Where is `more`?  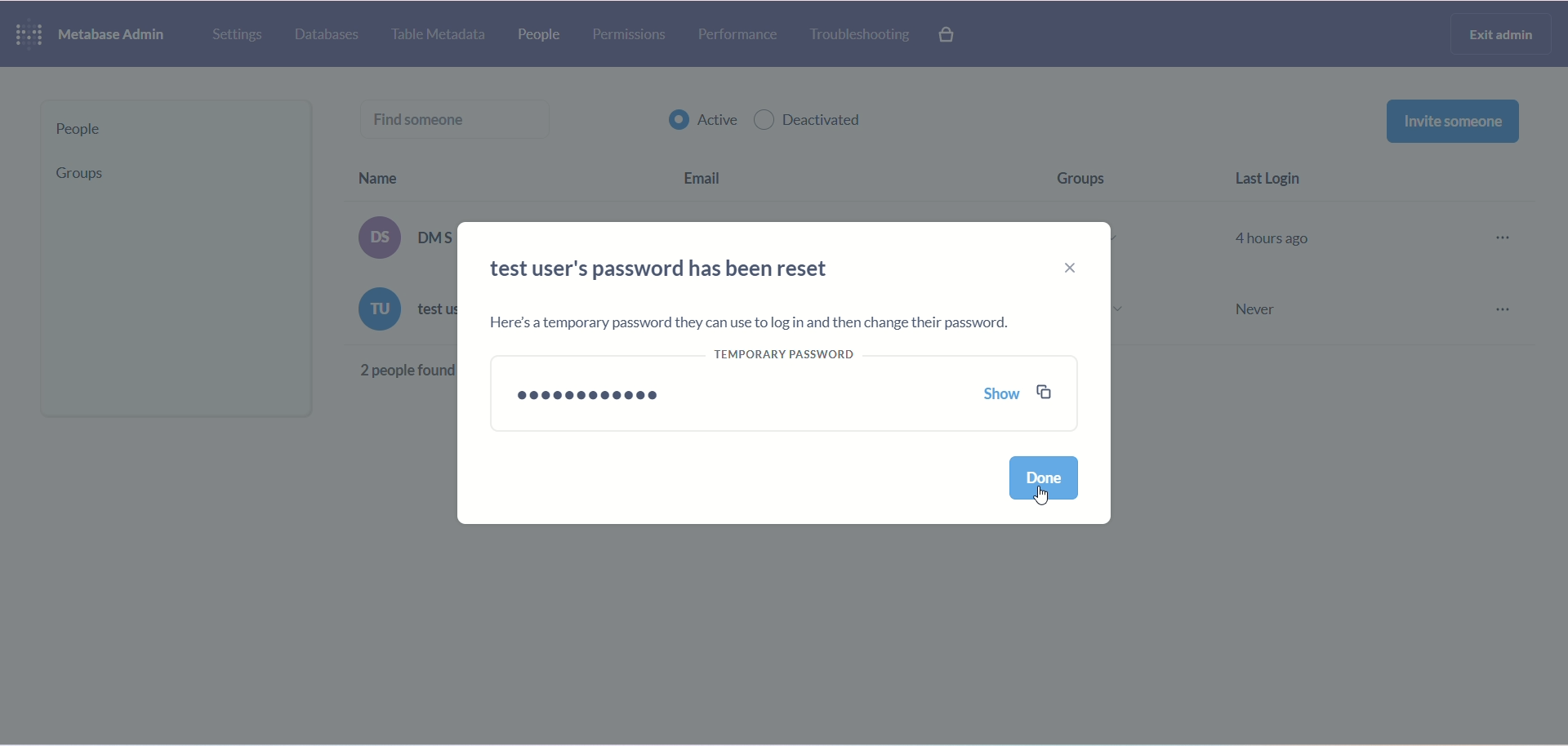
more is located at coordinates (1506, 276).